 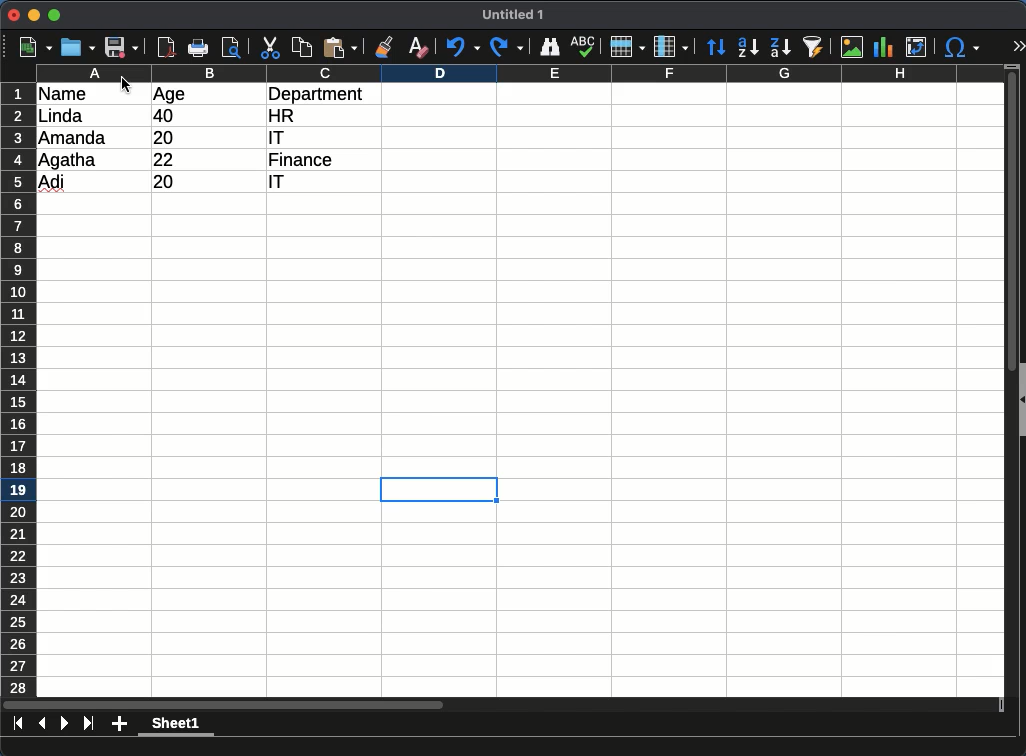 I want to click on pdf reader, so click(x=166, y=49).